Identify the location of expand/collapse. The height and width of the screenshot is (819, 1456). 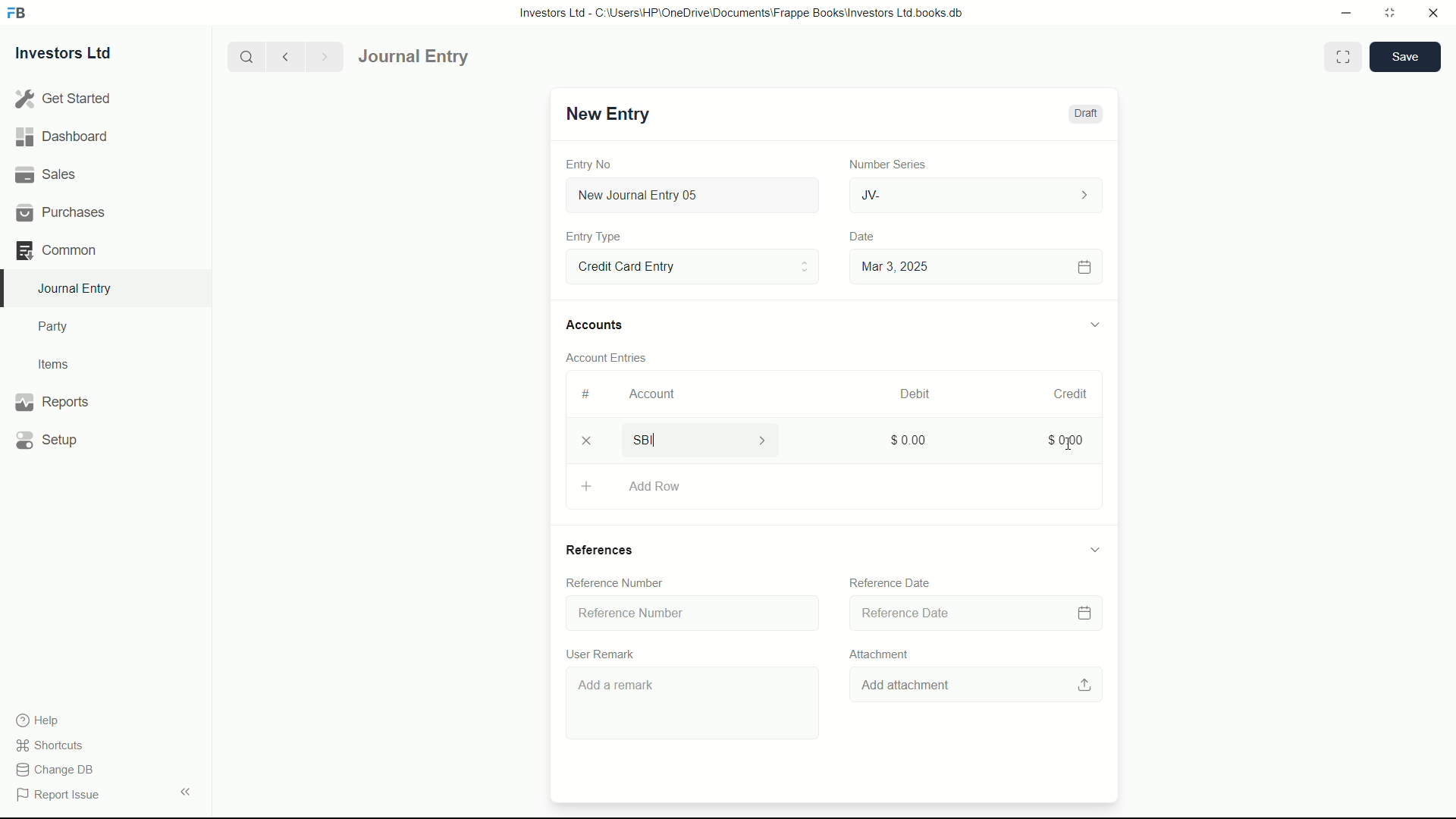
(1094, 322).